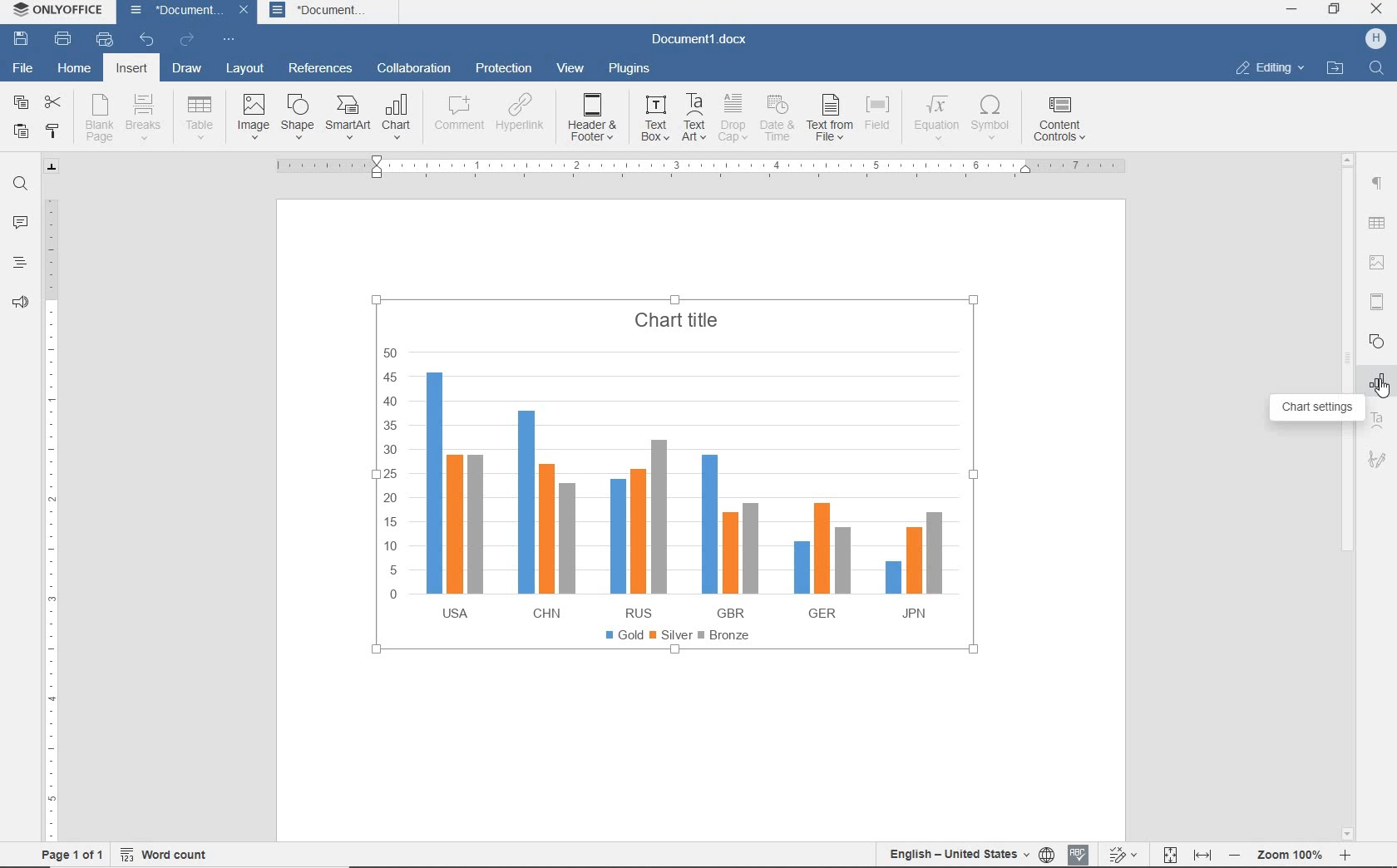 This screenshot has height=868, width=1397. What do you see at coordinates (779, 118) in the screenshot?
I see `date & time` at bounding box center [779, 118].